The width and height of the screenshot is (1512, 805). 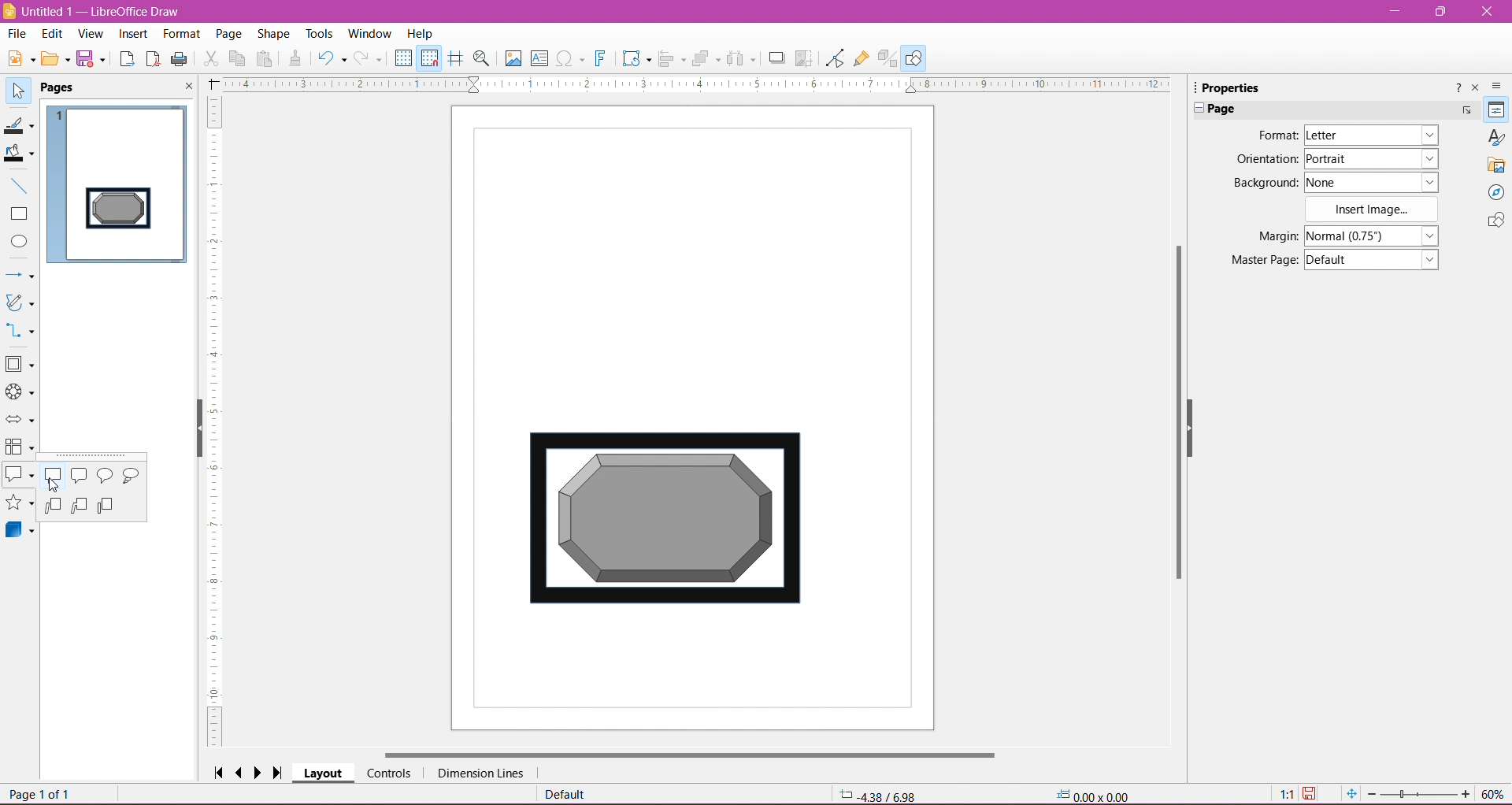 I want to click on Scroll to previous page, so click(x=241, y=772).